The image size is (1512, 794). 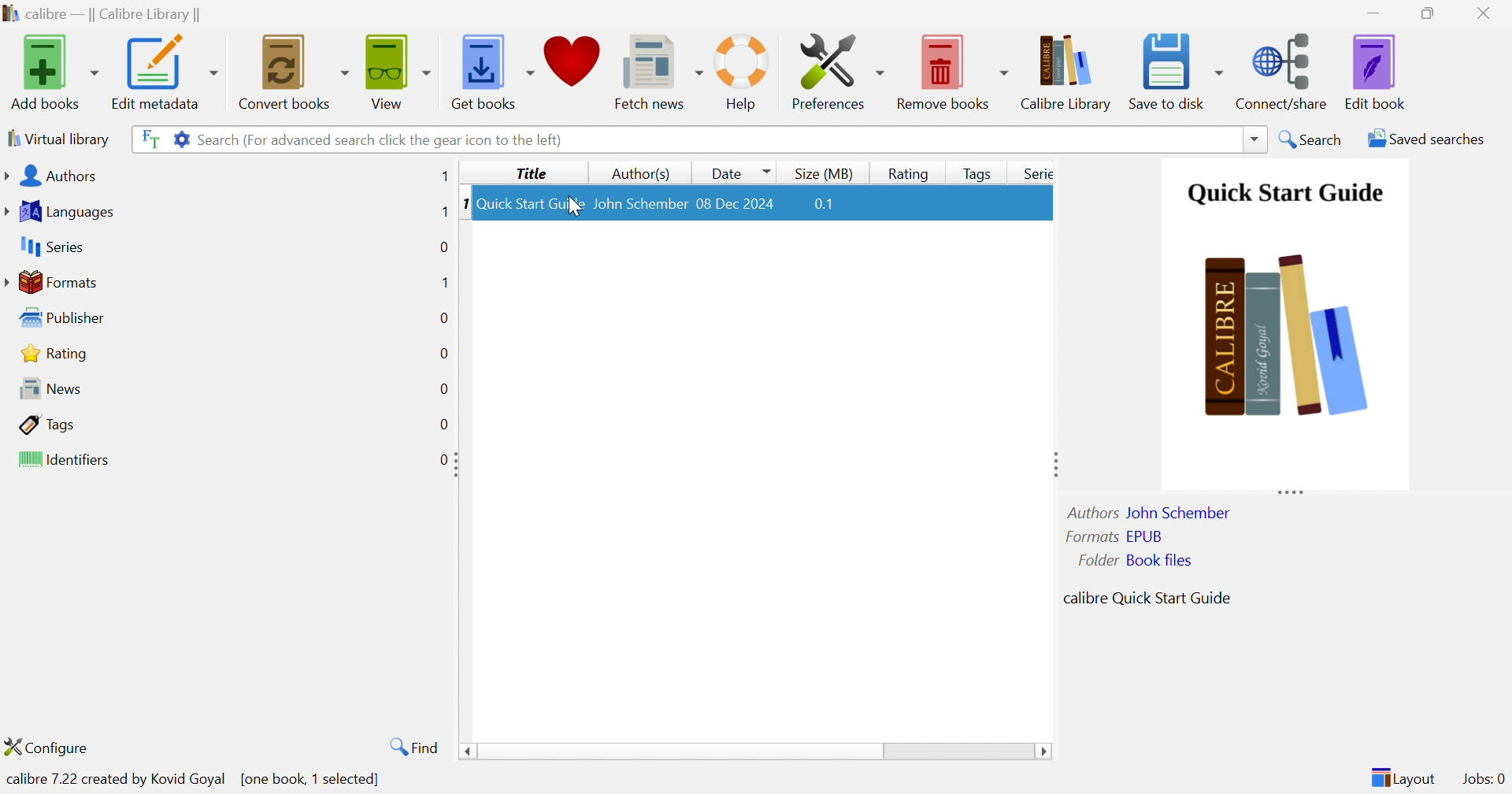 I want to click on 0, so click(x=442, y=388).